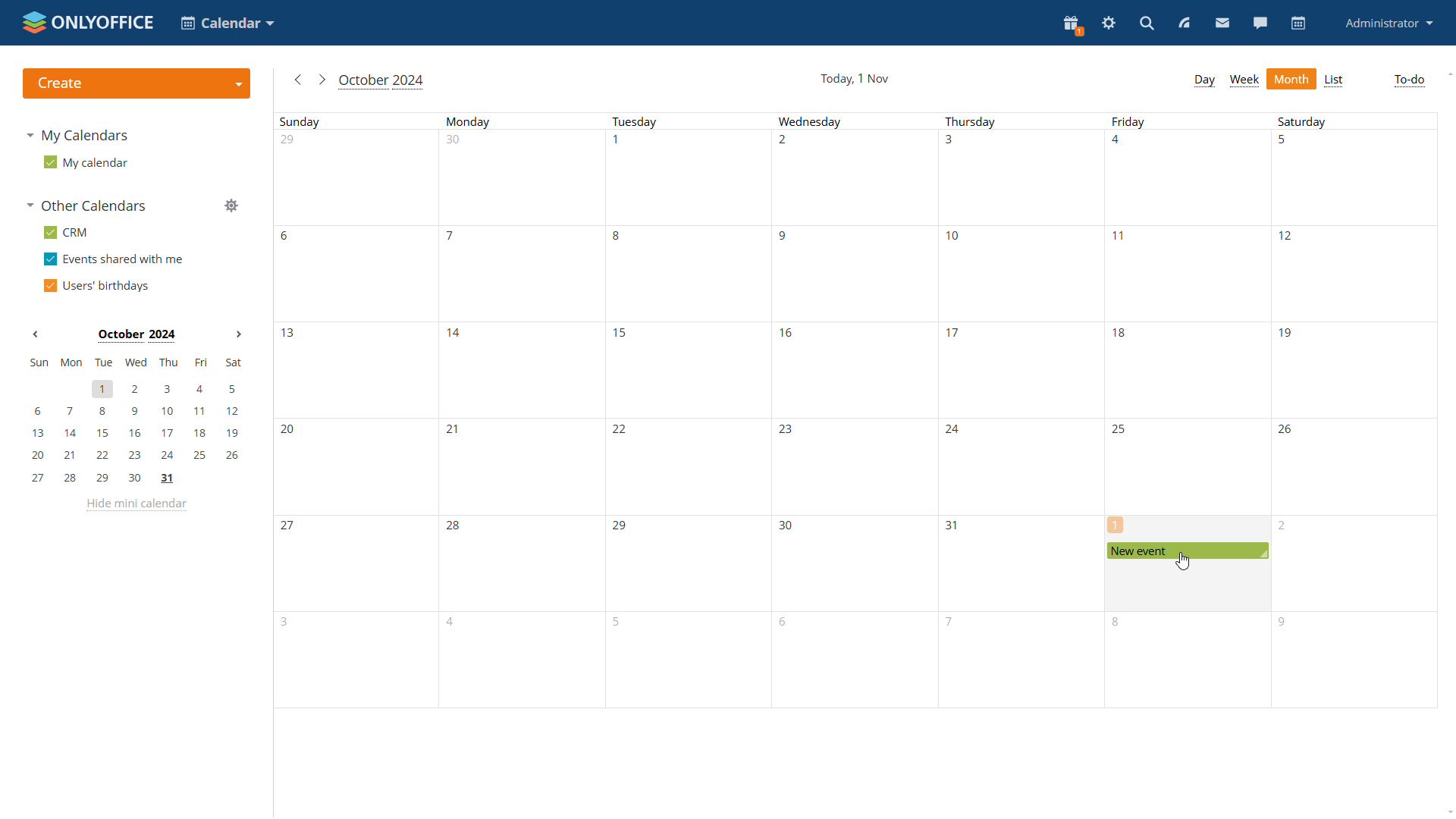 The width and height of the screenshot is (1456, 819). I want to click on other calendars, so click(88, 206).